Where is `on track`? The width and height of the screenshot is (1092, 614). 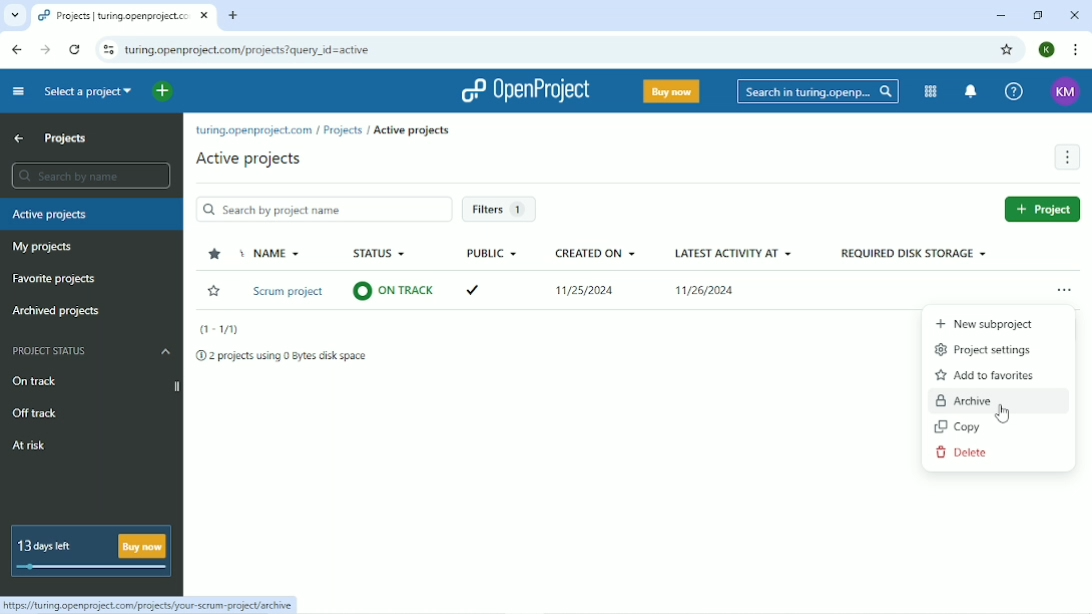 on track is located at coordinates (394, 289).